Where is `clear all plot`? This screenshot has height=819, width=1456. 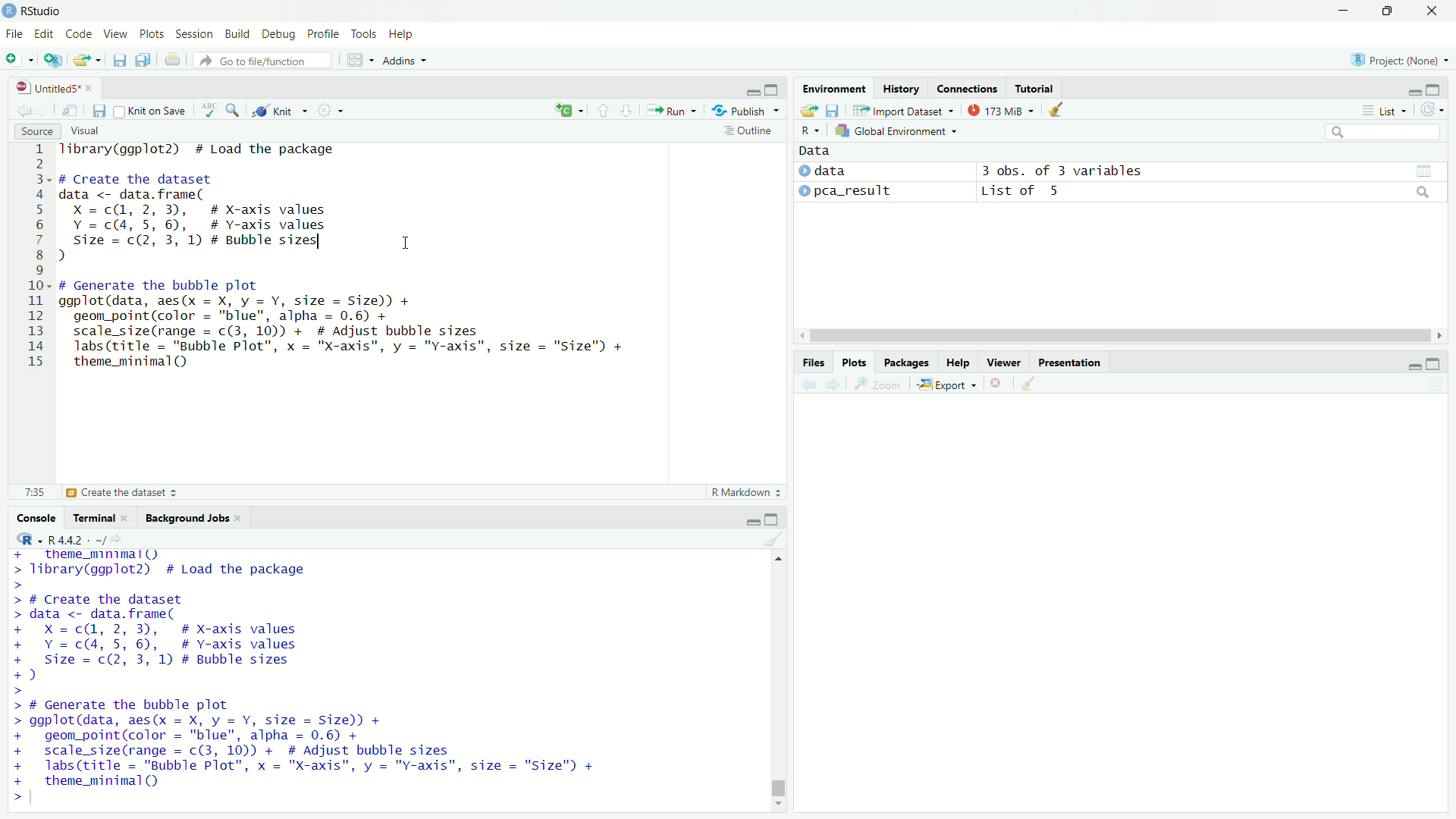
clear all plot is located at coordinates (1030, 384).